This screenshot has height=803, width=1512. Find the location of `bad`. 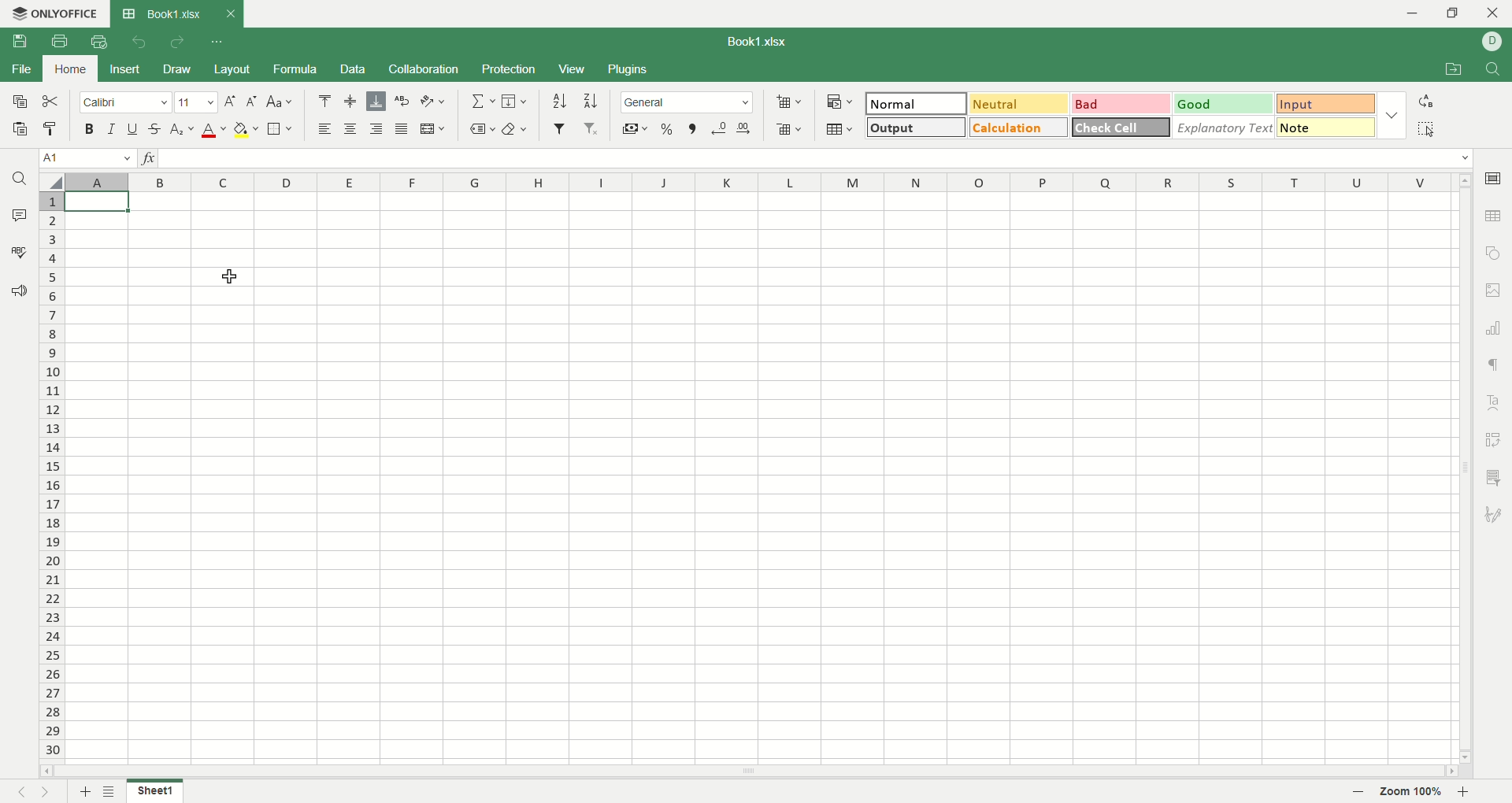

bad is located at coordinates (1119, 104).